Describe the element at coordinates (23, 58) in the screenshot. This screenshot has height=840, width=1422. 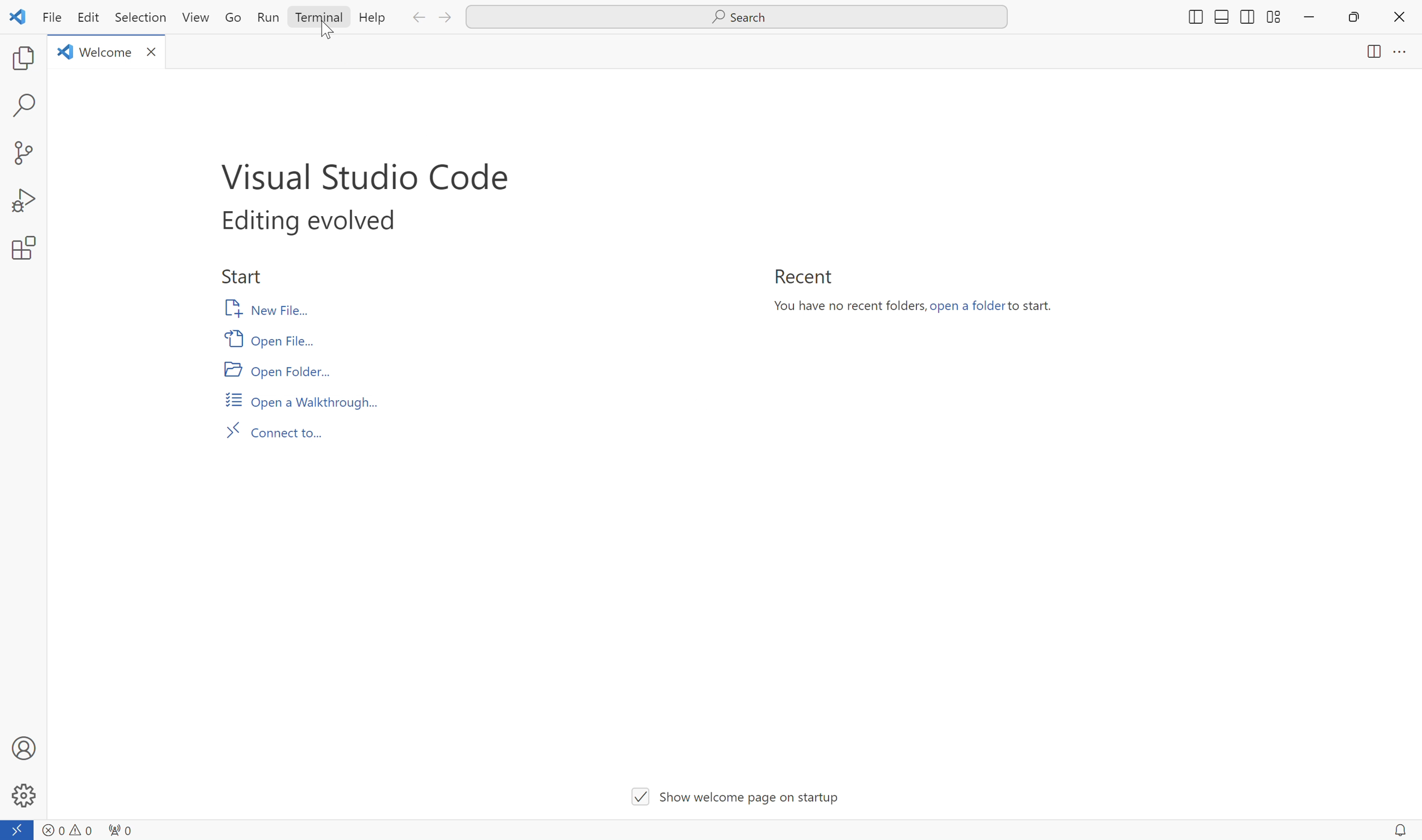
I see `explorer` at that location.